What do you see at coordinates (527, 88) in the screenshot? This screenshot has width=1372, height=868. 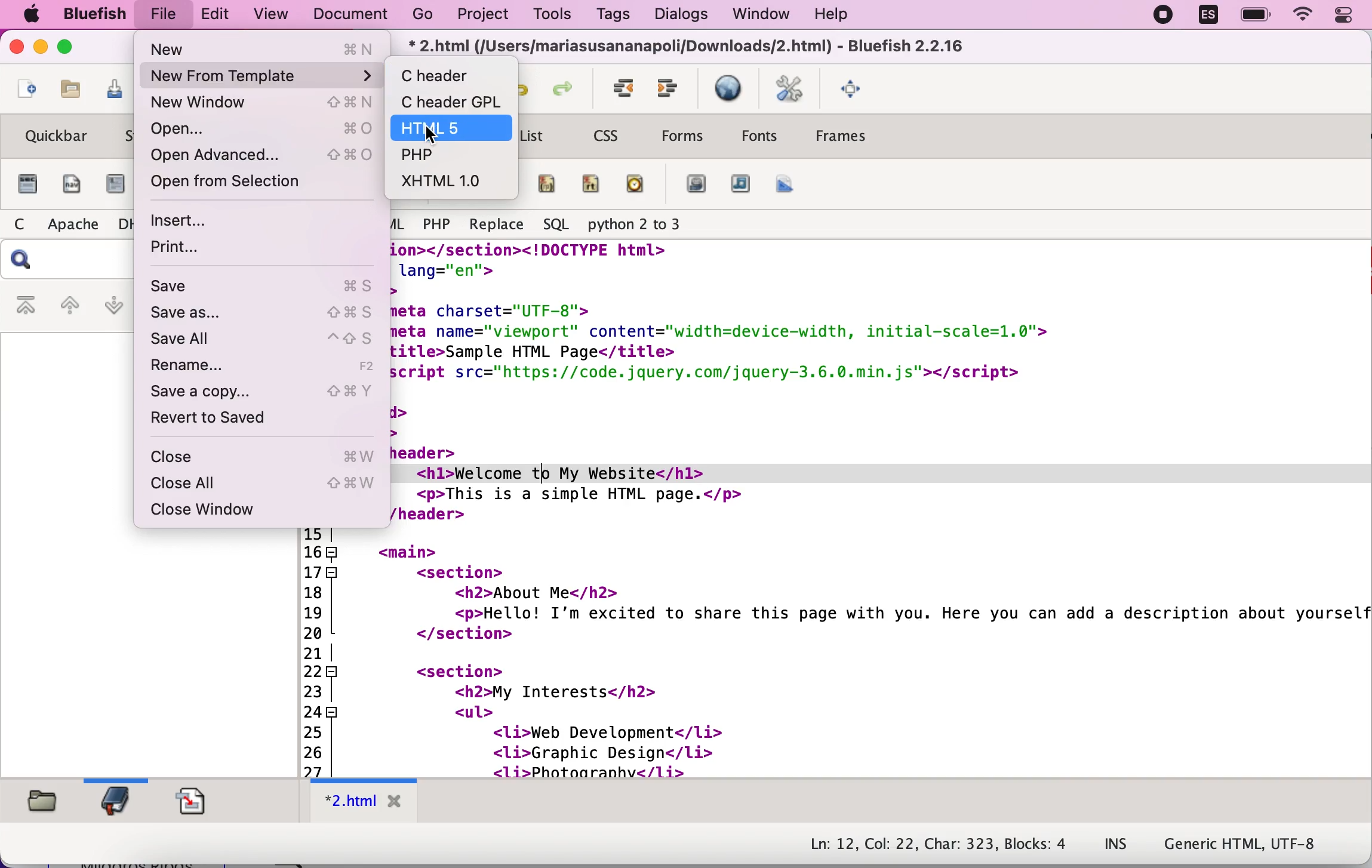 I see `undo` at bounding box center [527, 88].